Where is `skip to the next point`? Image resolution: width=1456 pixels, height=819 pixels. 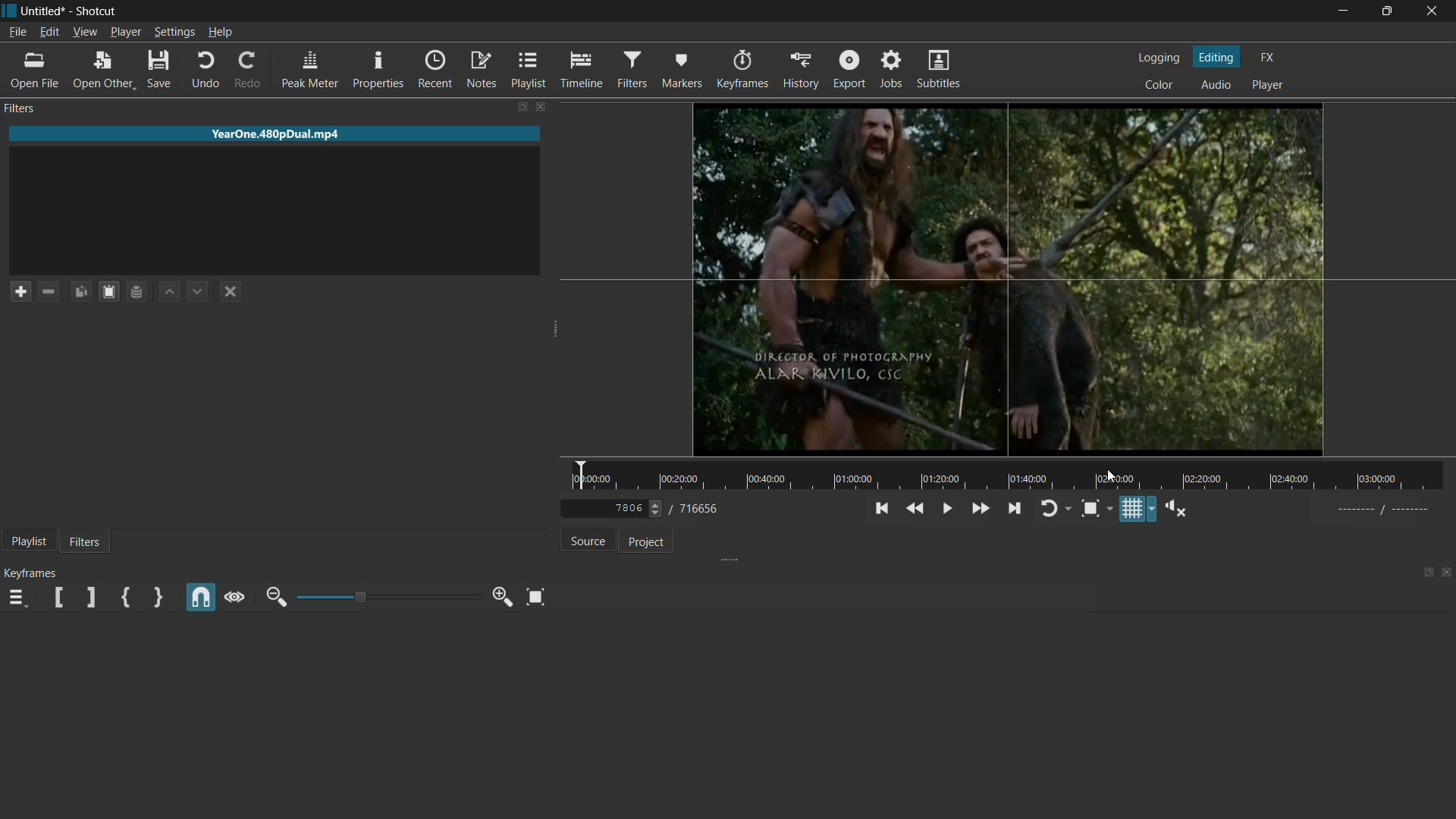
skip to the next point is located at coordinates (1013, 508).